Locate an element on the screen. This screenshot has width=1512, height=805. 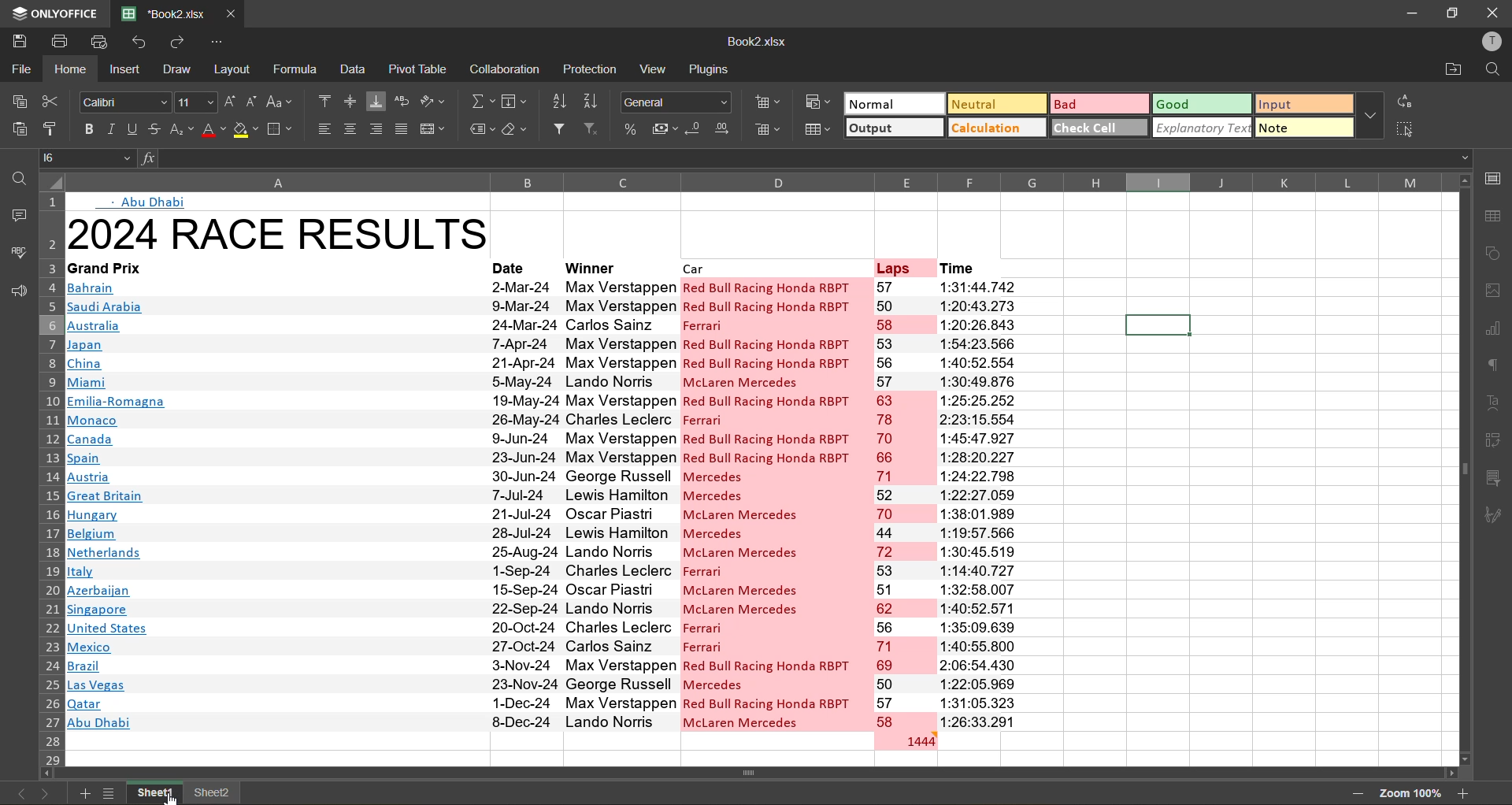
formula bar is located at coordinates (797, 158).